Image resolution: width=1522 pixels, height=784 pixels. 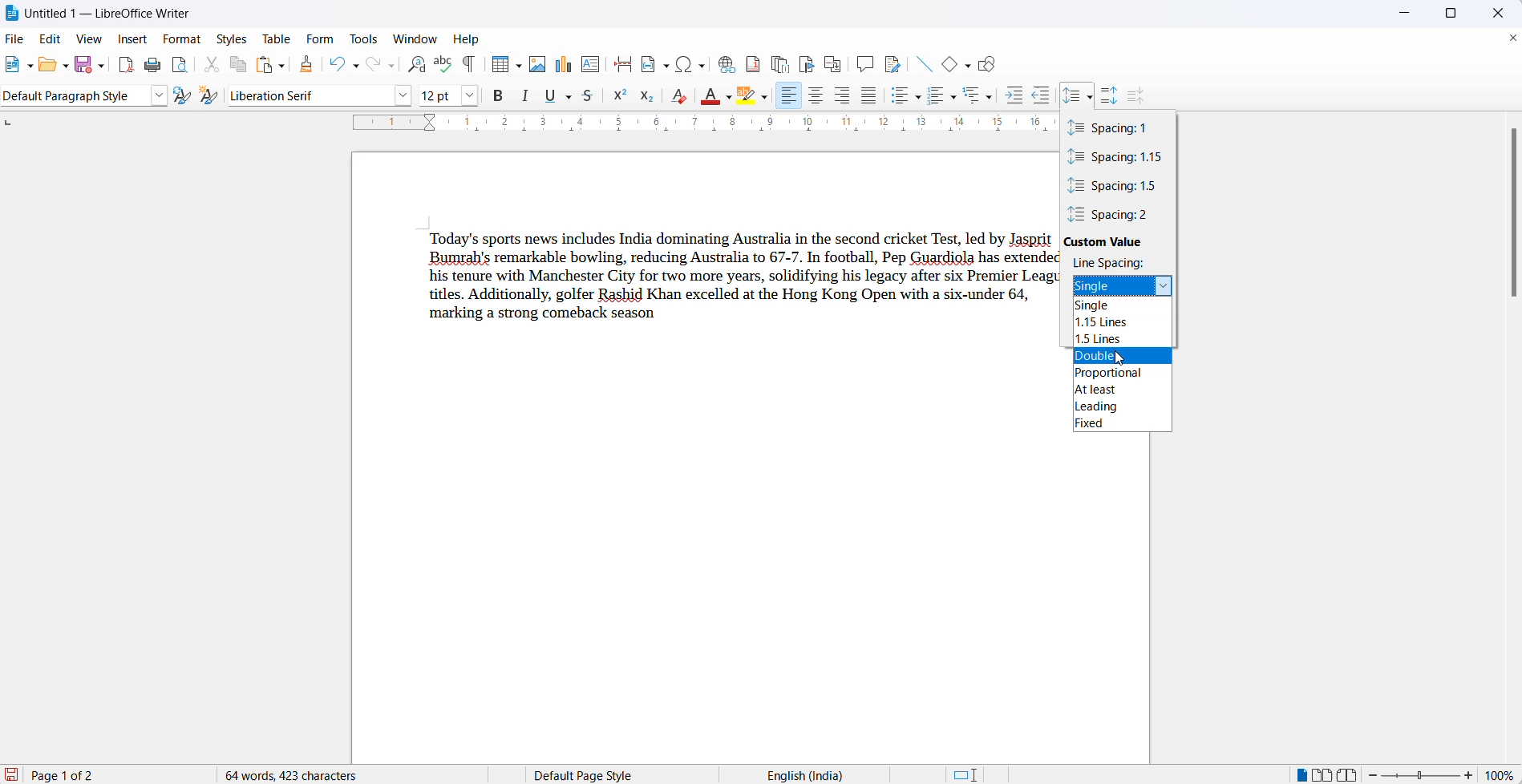 I want to click on undo, so click(x=336, y=66).